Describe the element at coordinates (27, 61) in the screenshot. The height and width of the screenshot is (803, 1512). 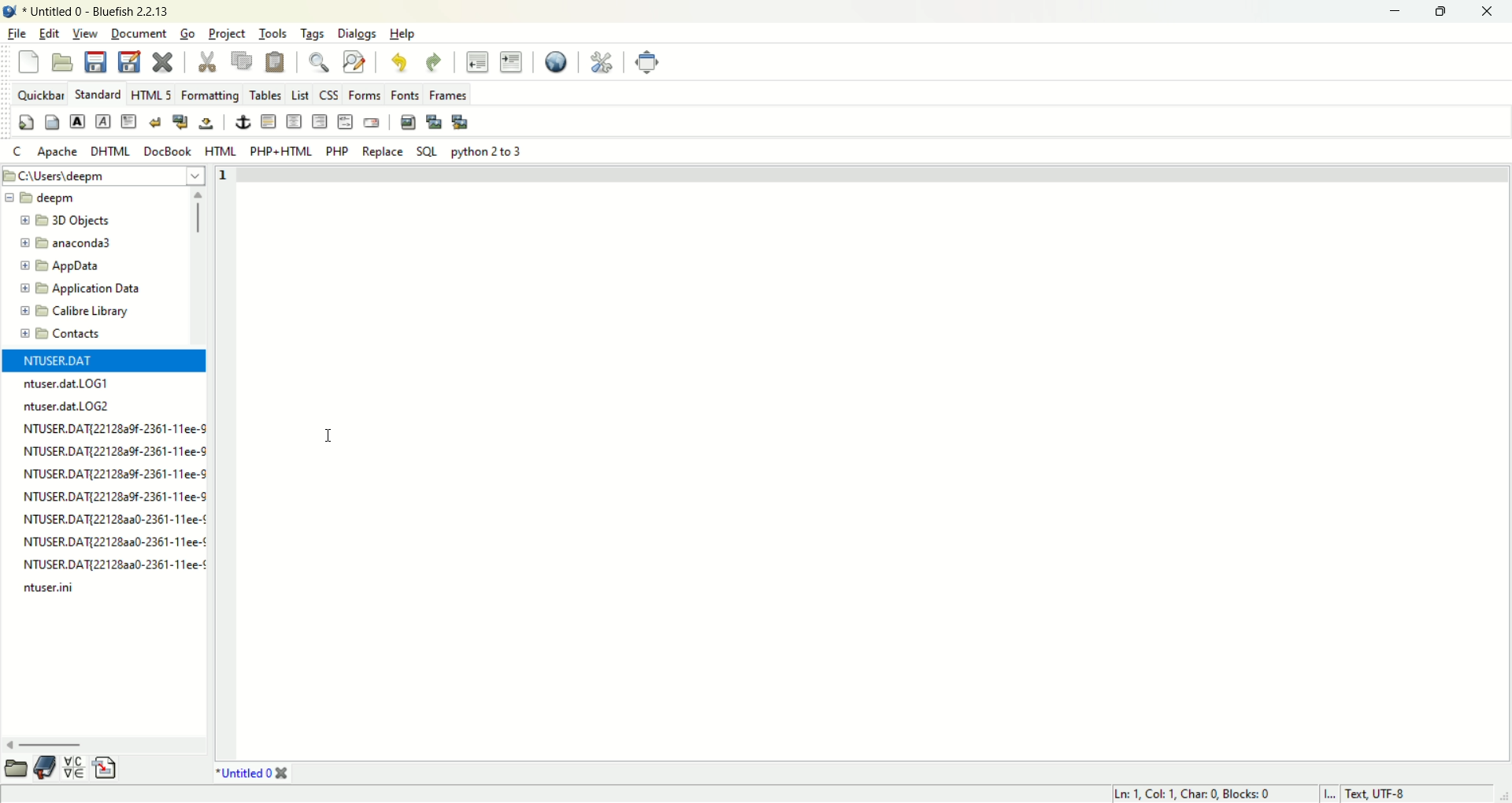
I see `new file` at that location.